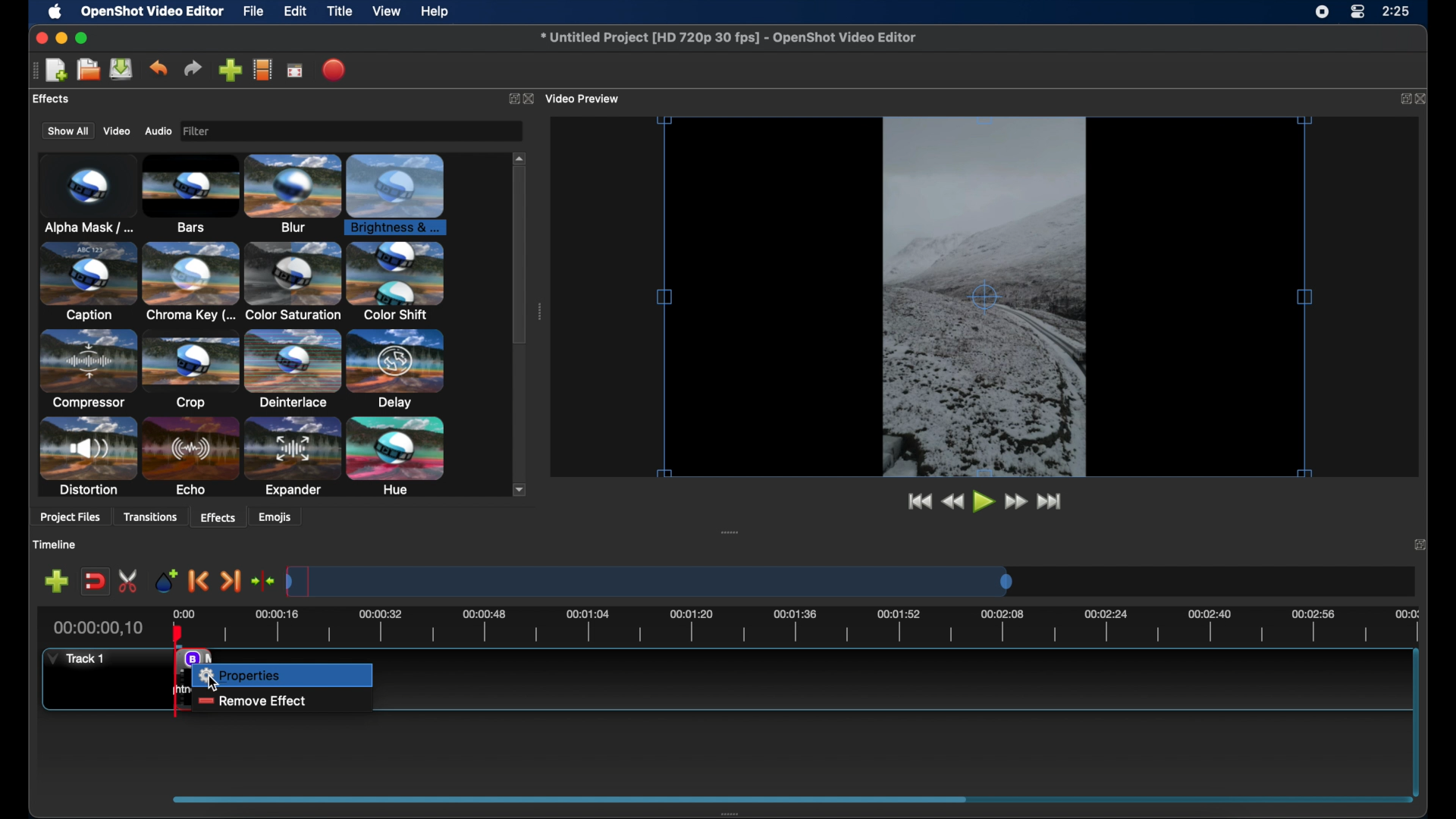  What do you see at coordinates (519, 258) in the screenshot?
I see `scroll box` at bounding box center [519, 258].